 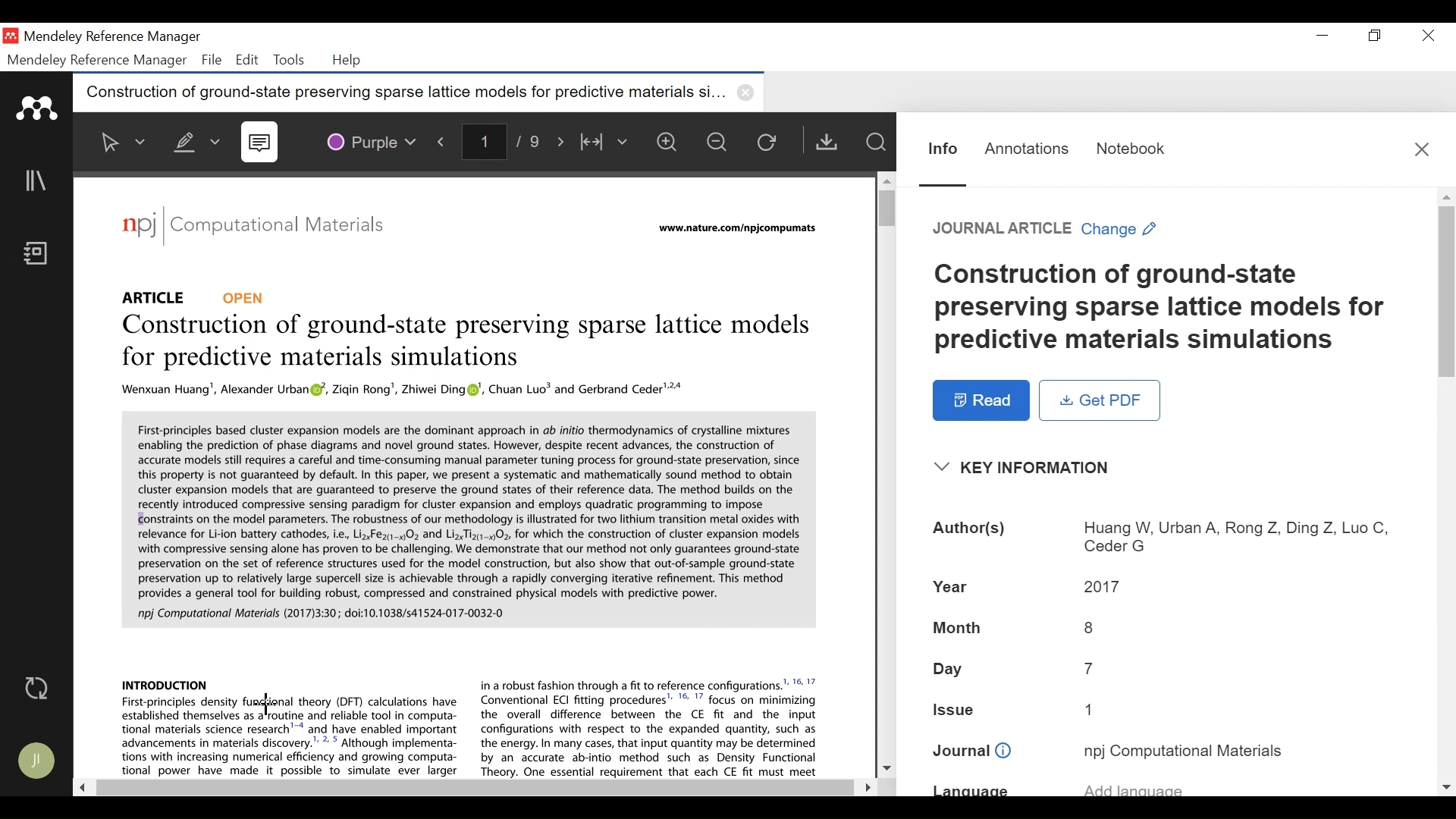 I want to click on Scroll down, so click(x=886, y=769).